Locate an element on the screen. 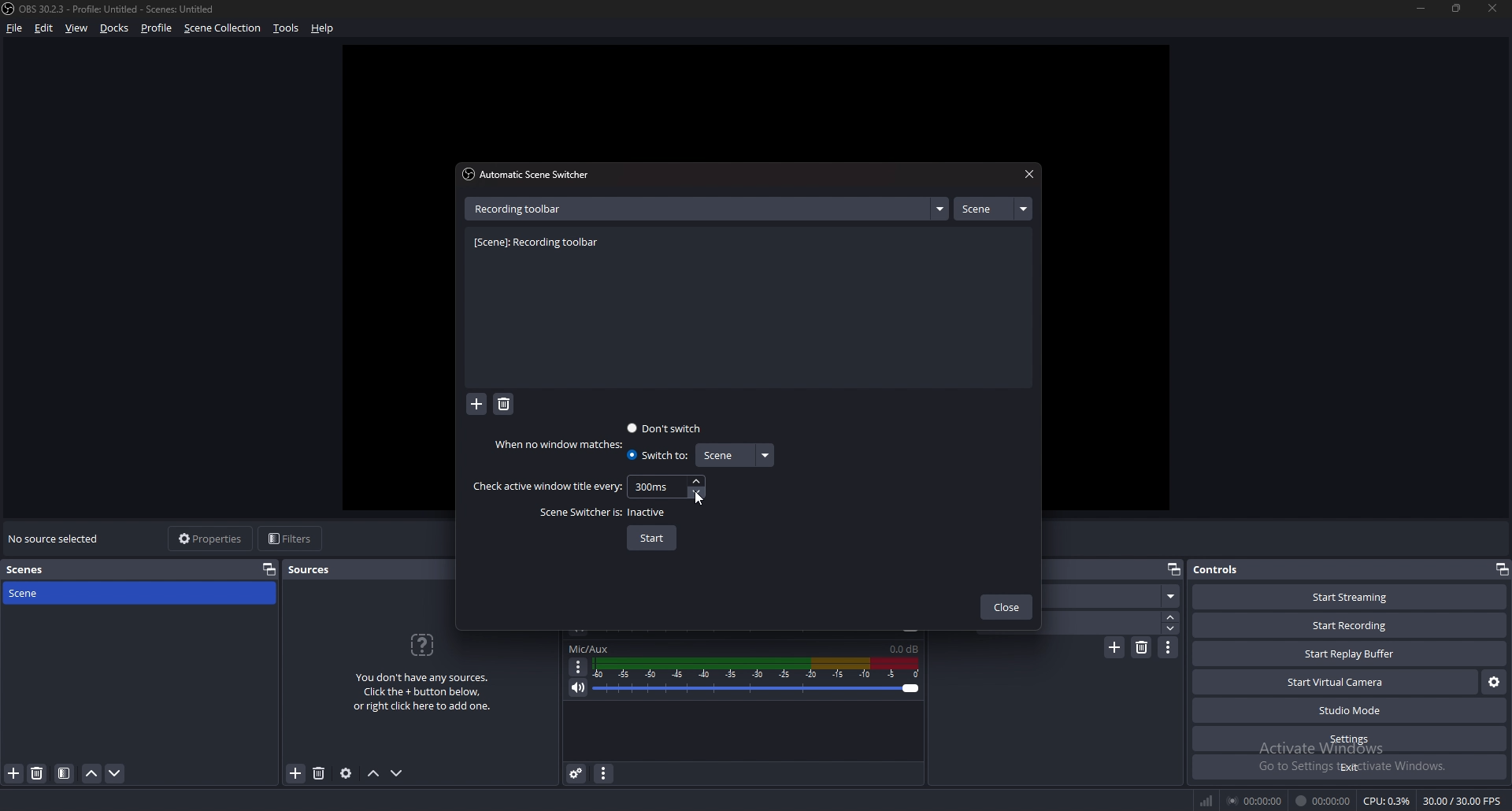  dont switch is located at coordinates (666, 428).